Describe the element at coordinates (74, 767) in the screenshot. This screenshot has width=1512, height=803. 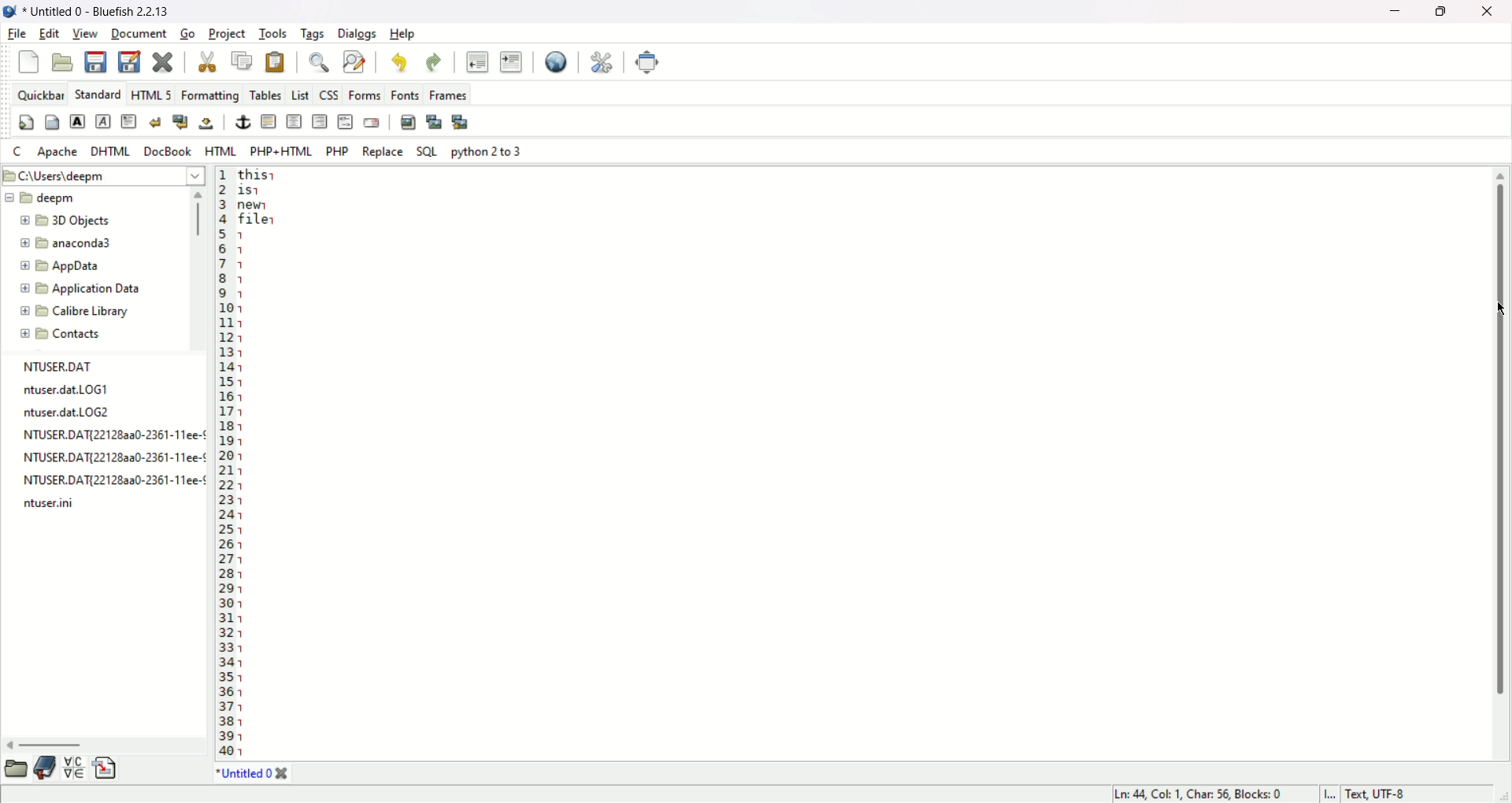
I see `charmap` at that location.